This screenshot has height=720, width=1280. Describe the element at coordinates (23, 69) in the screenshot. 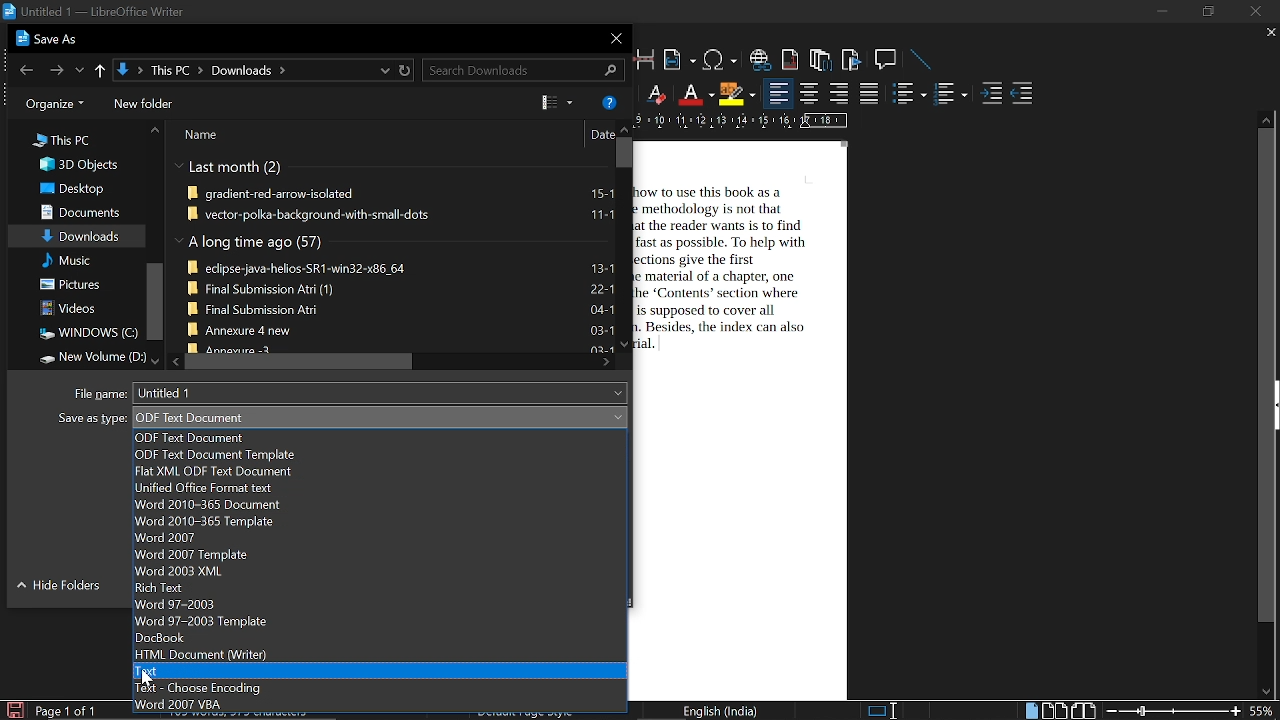

I see `previous` at that location.